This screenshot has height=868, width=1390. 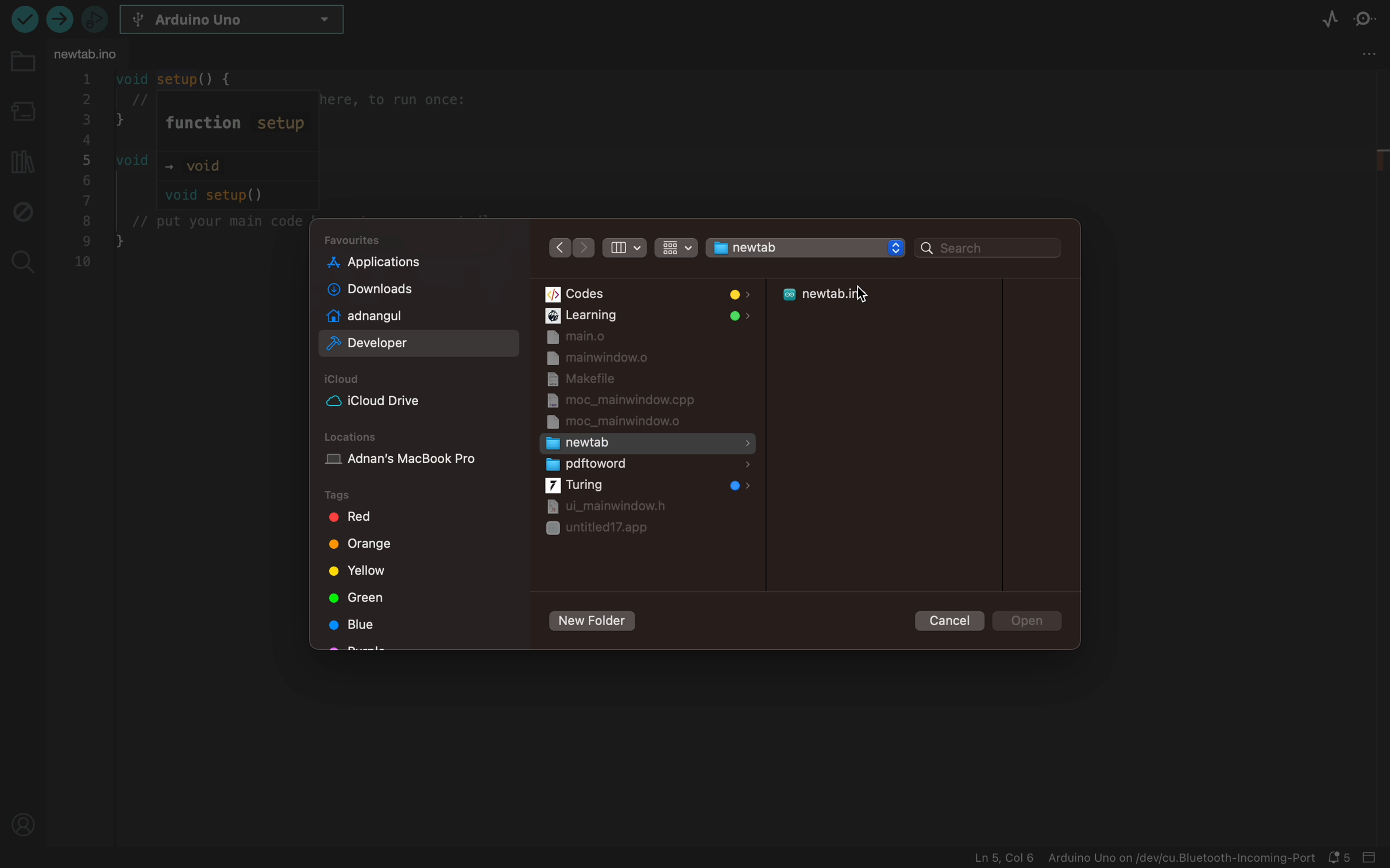 I want to click on downloads, so click(x=399, y=290).